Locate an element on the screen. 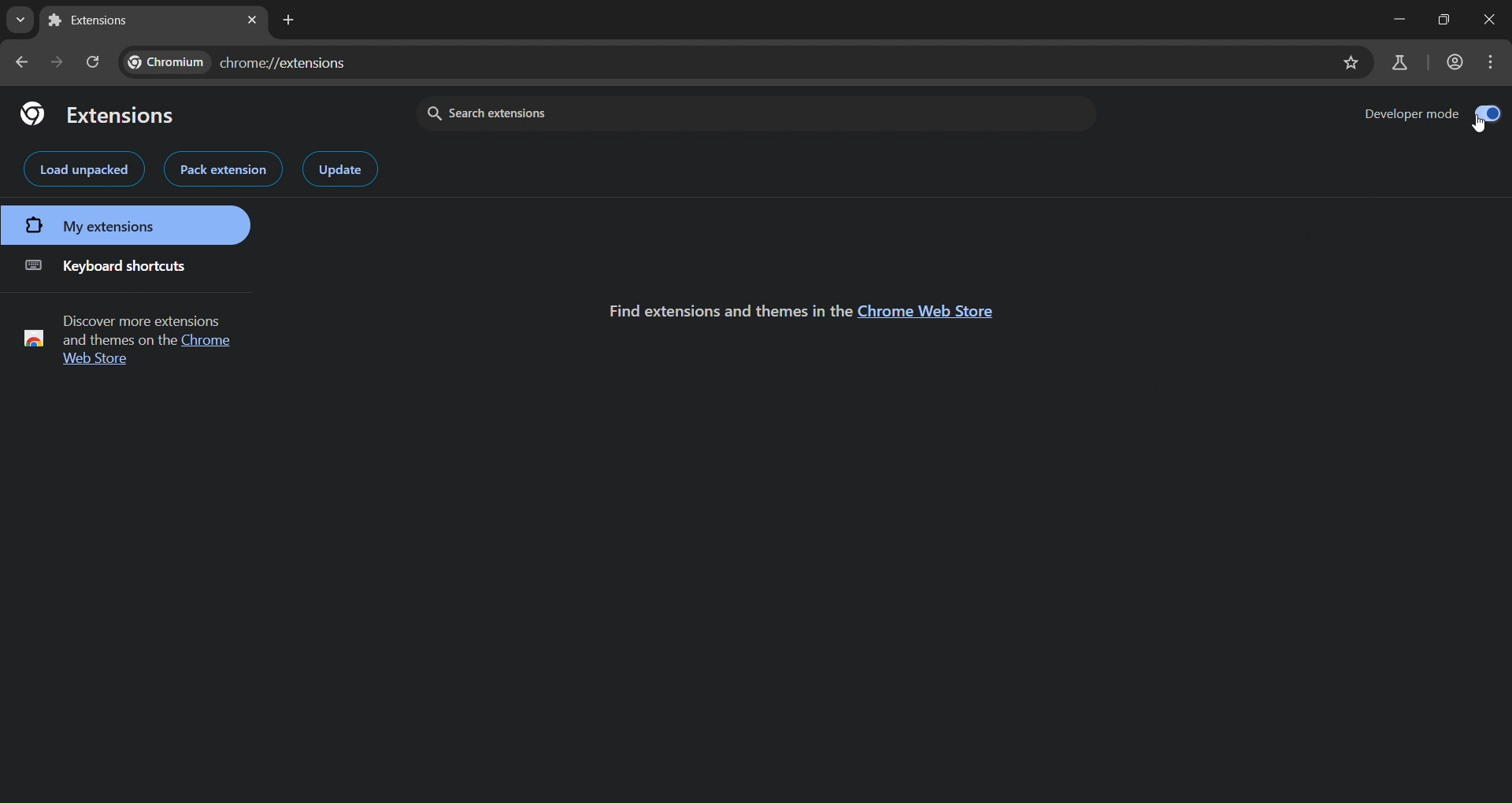 The image size is (1512, 803). search tab is located at coordinates (17, 18).